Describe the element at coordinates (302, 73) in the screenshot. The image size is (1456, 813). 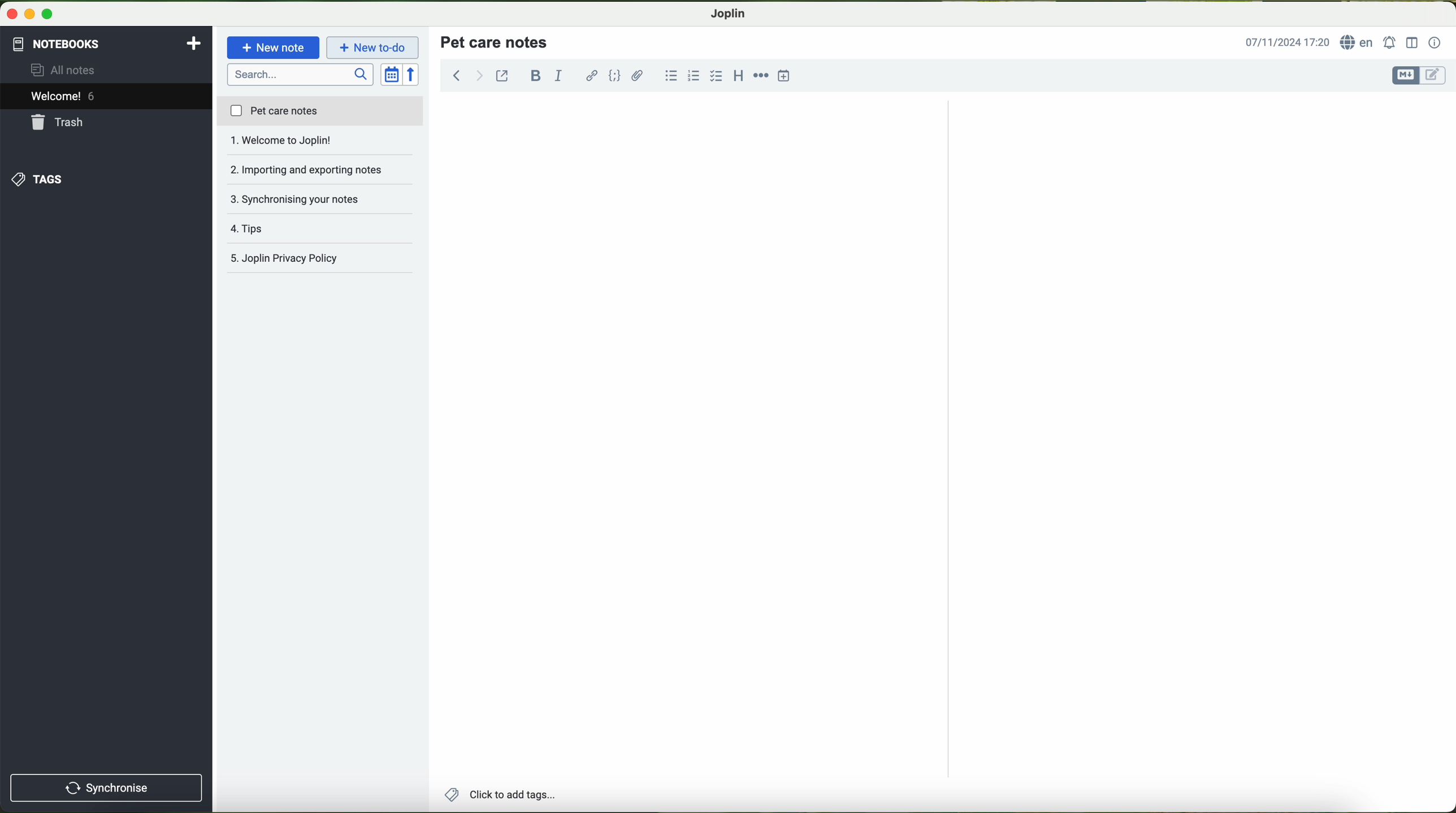
I see `search bar` at that location.